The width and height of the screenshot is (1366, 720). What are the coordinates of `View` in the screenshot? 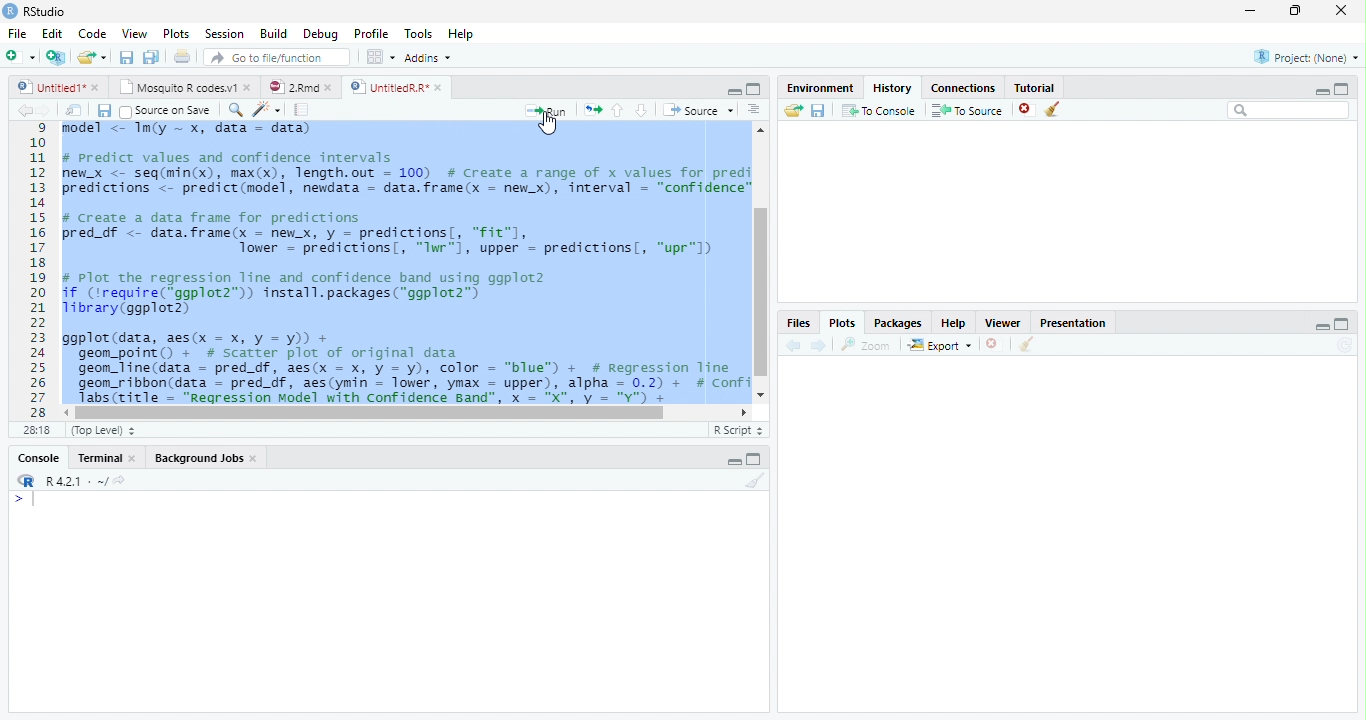 It's located at (134, 34).